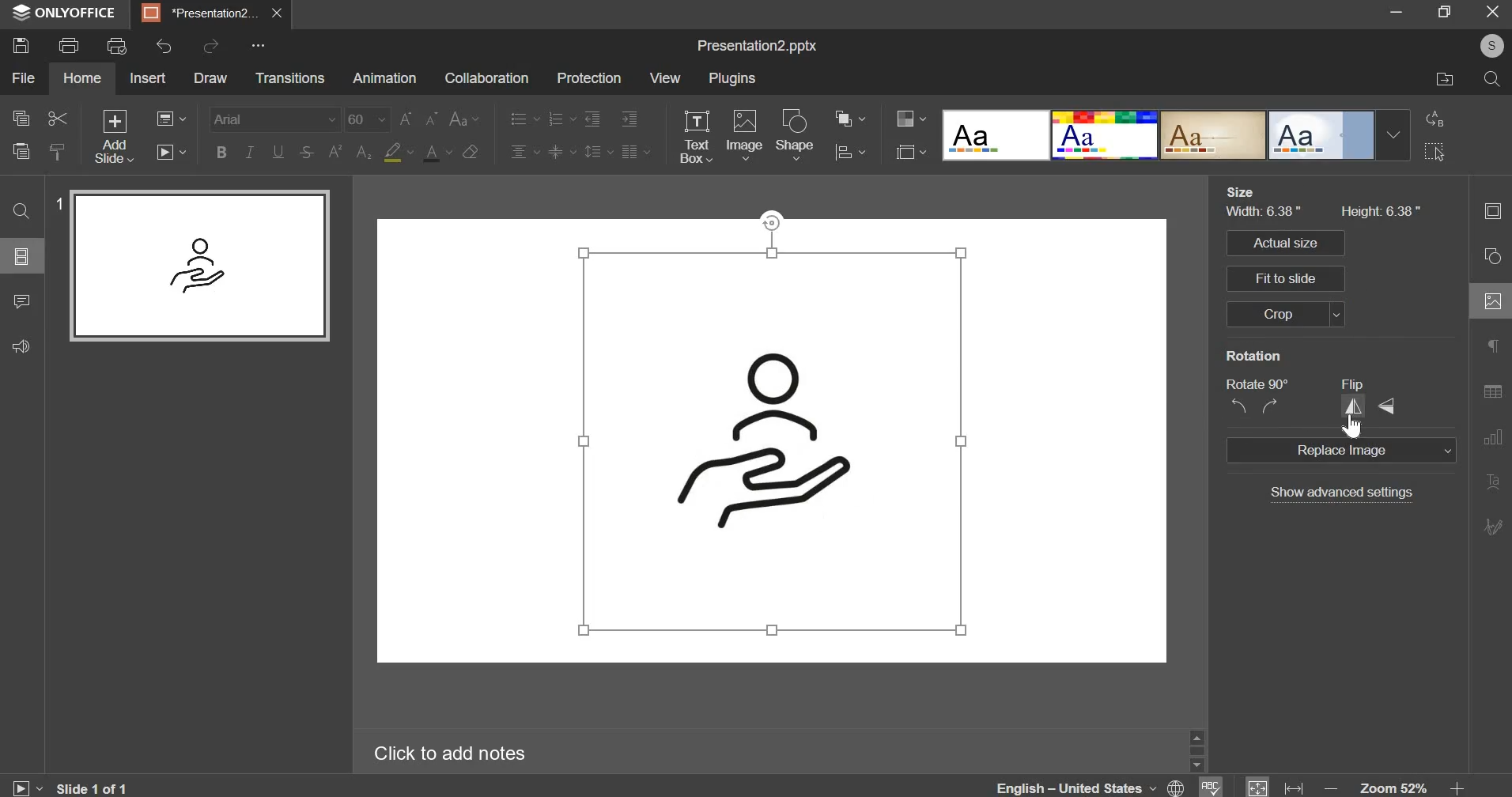  What do you see at coordinates (274, 119) in the screenshot?
I see `font` at bounding box center [274, 119].